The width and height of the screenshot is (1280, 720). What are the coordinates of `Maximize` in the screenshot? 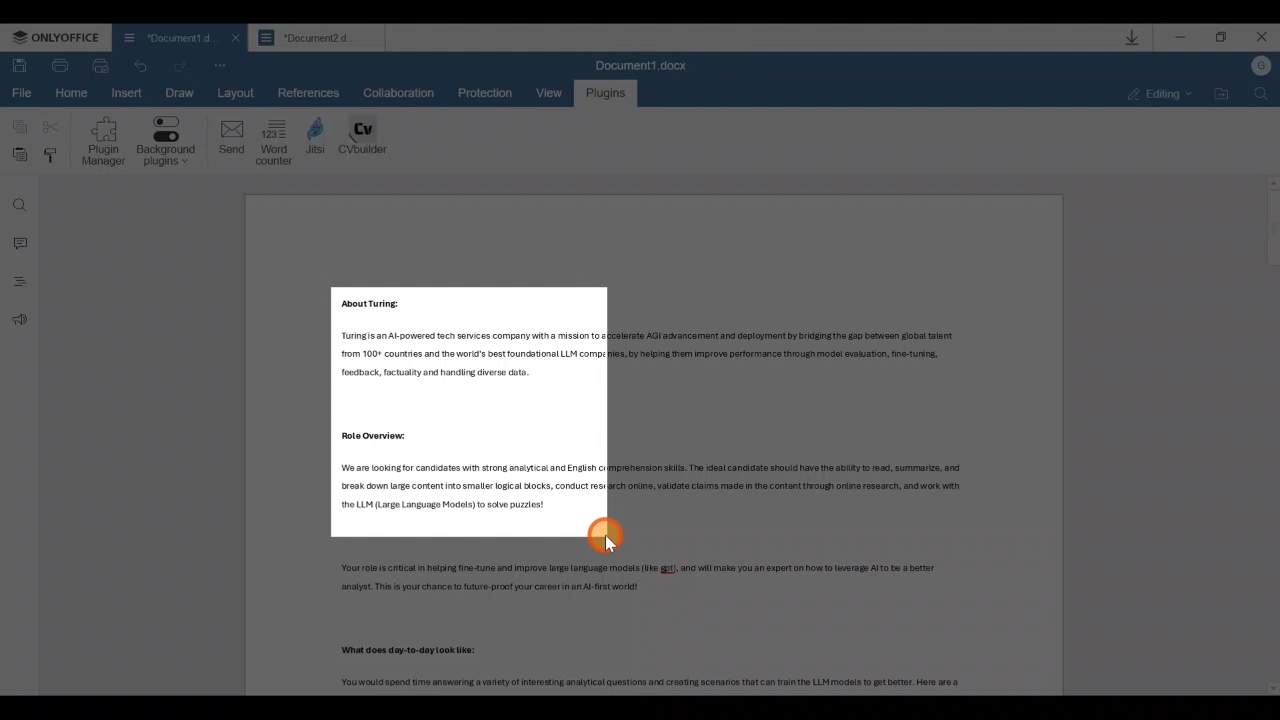 It's located at (1224, 40).